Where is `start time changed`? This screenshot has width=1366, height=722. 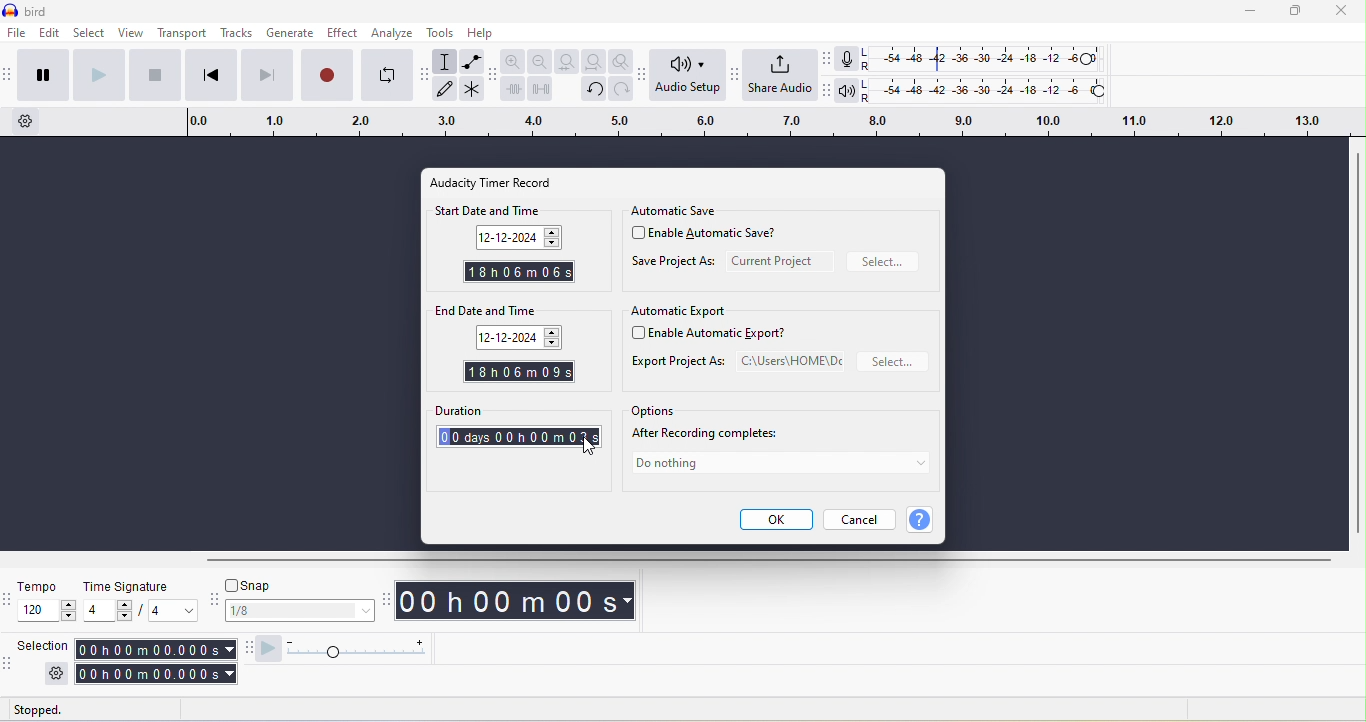 start time changed is located at coordinates (519, 272).